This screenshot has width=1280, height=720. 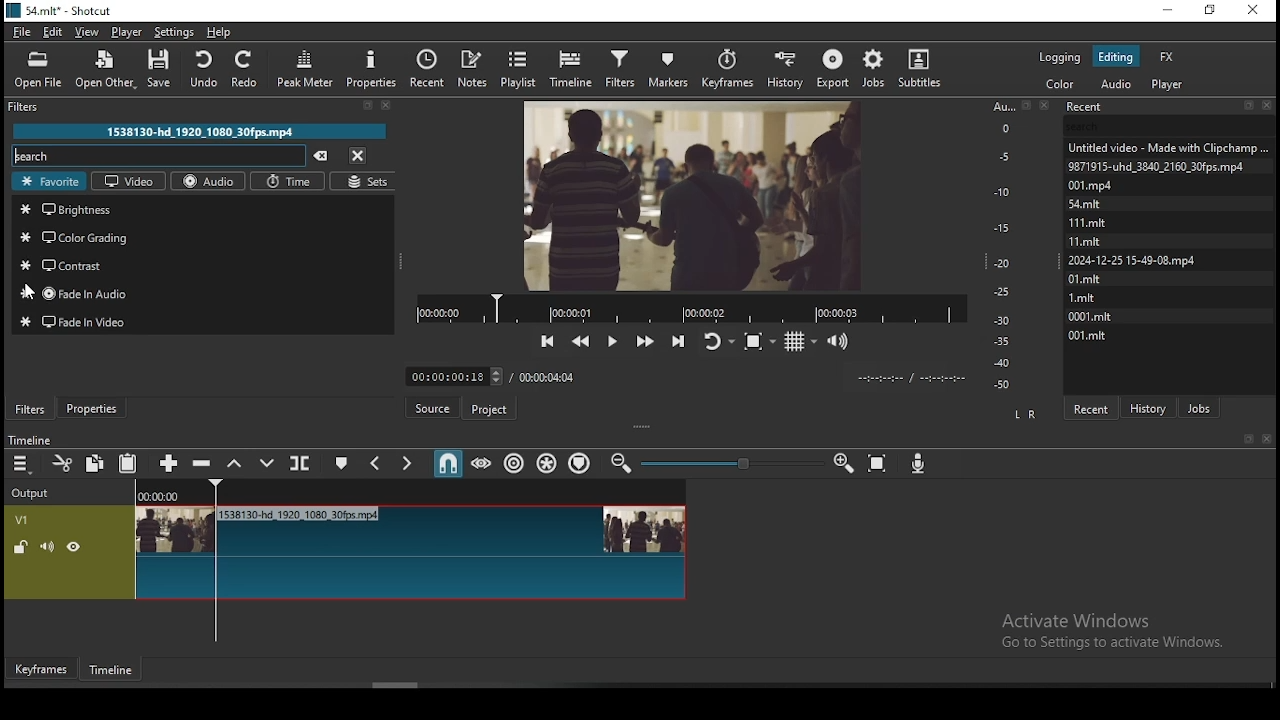 What do you see at coordinates (1059, 55) in the screenshot?
I see `logging` at bounding box center [1059, 55].